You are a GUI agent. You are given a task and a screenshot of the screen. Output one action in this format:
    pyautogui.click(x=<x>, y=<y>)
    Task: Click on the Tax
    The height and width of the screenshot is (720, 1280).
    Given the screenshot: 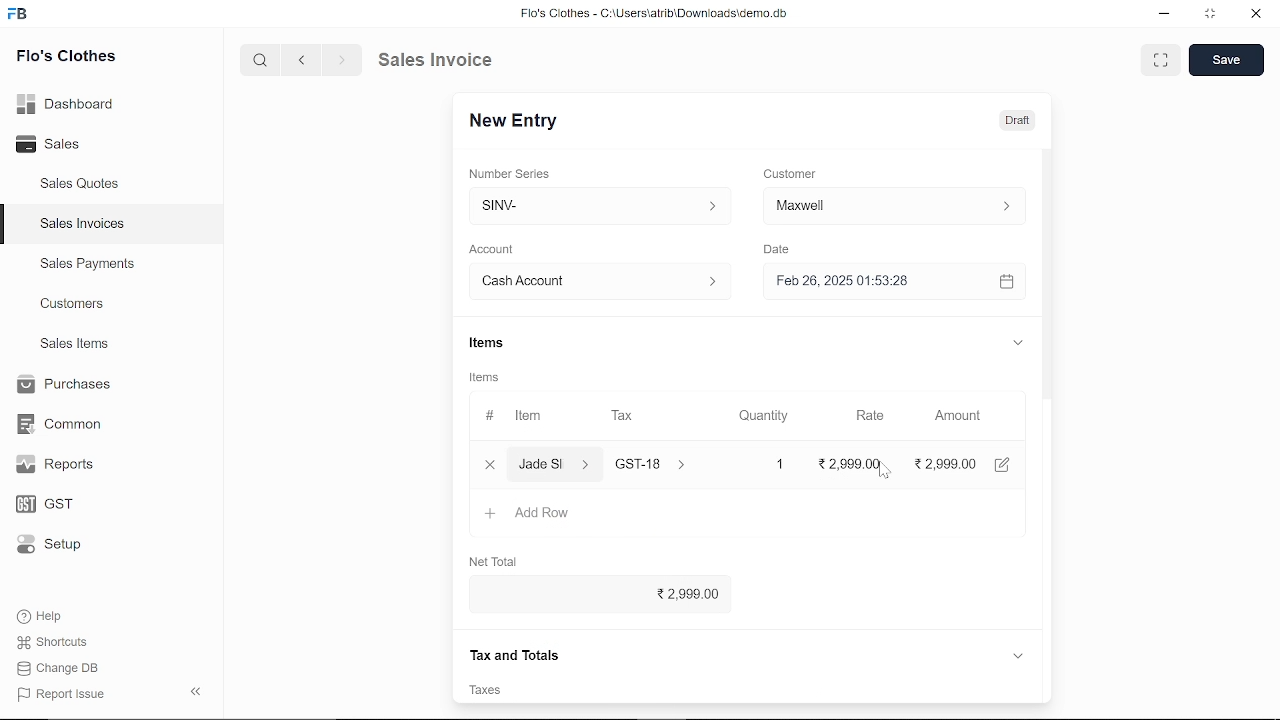 What is the action you would take?
    pyautogui.click(x=626, y=416)
    